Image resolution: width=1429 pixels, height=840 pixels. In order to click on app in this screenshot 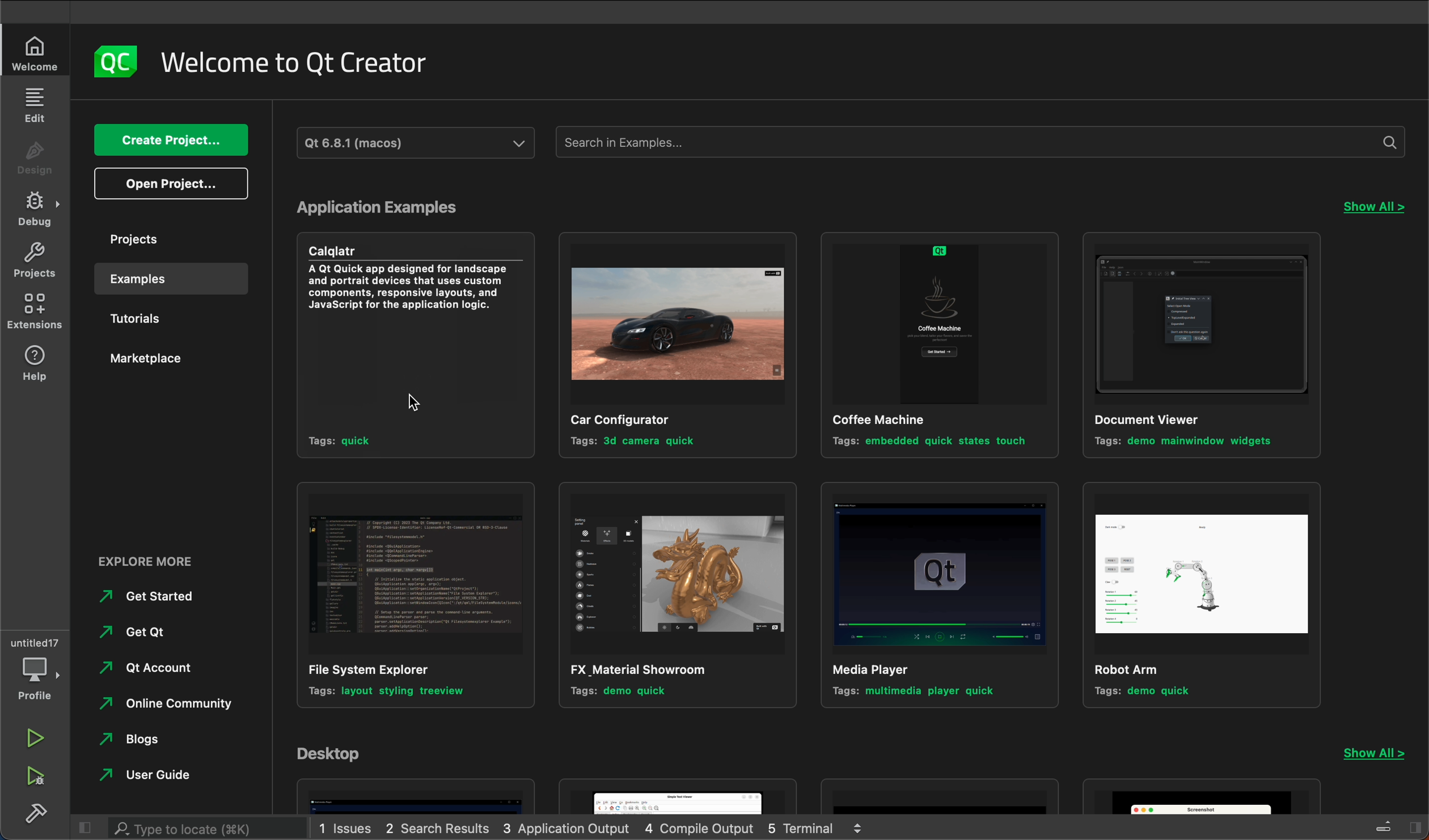, I will do `click(1204, 797)`.